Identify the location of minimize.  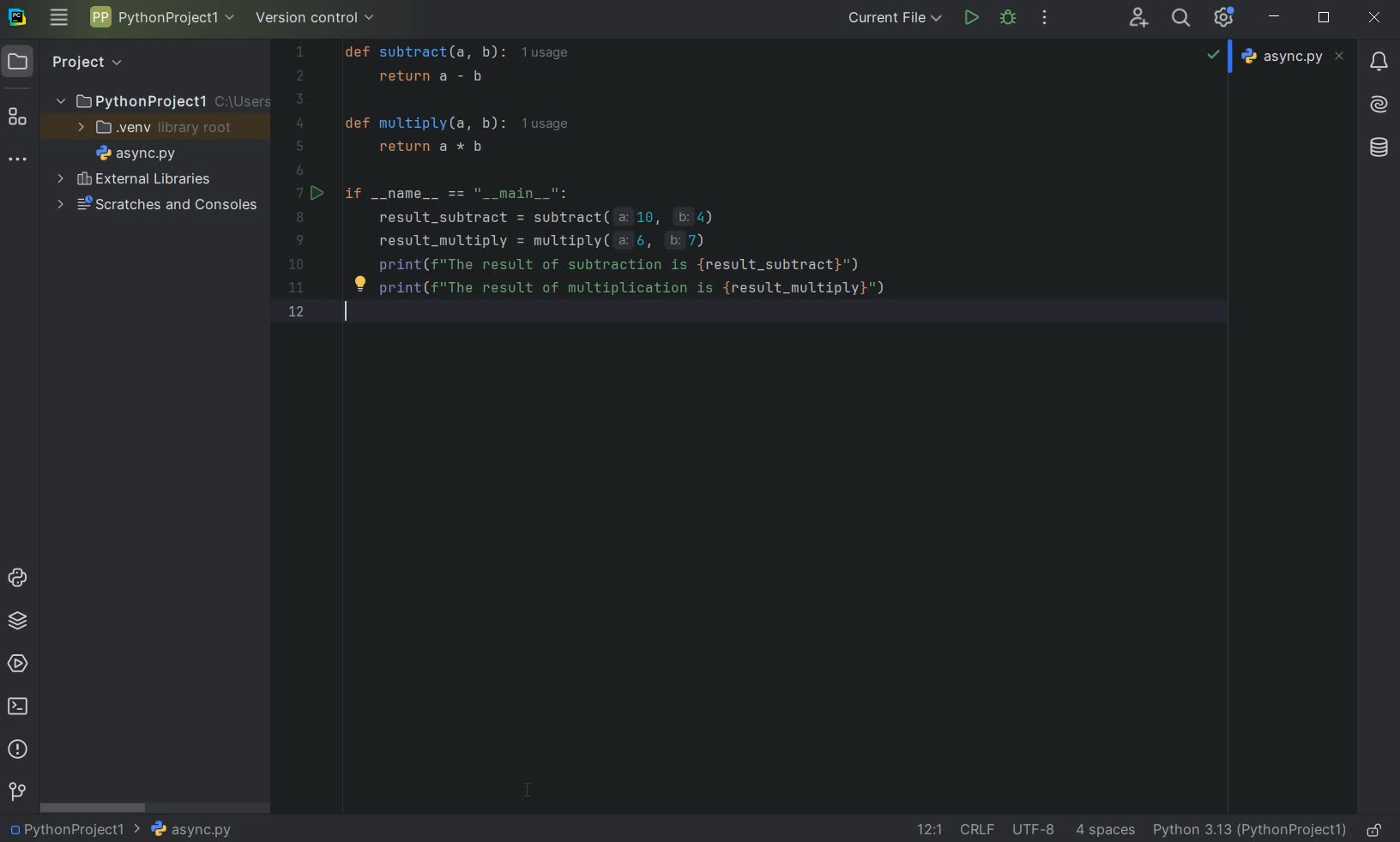
(1275, 16).